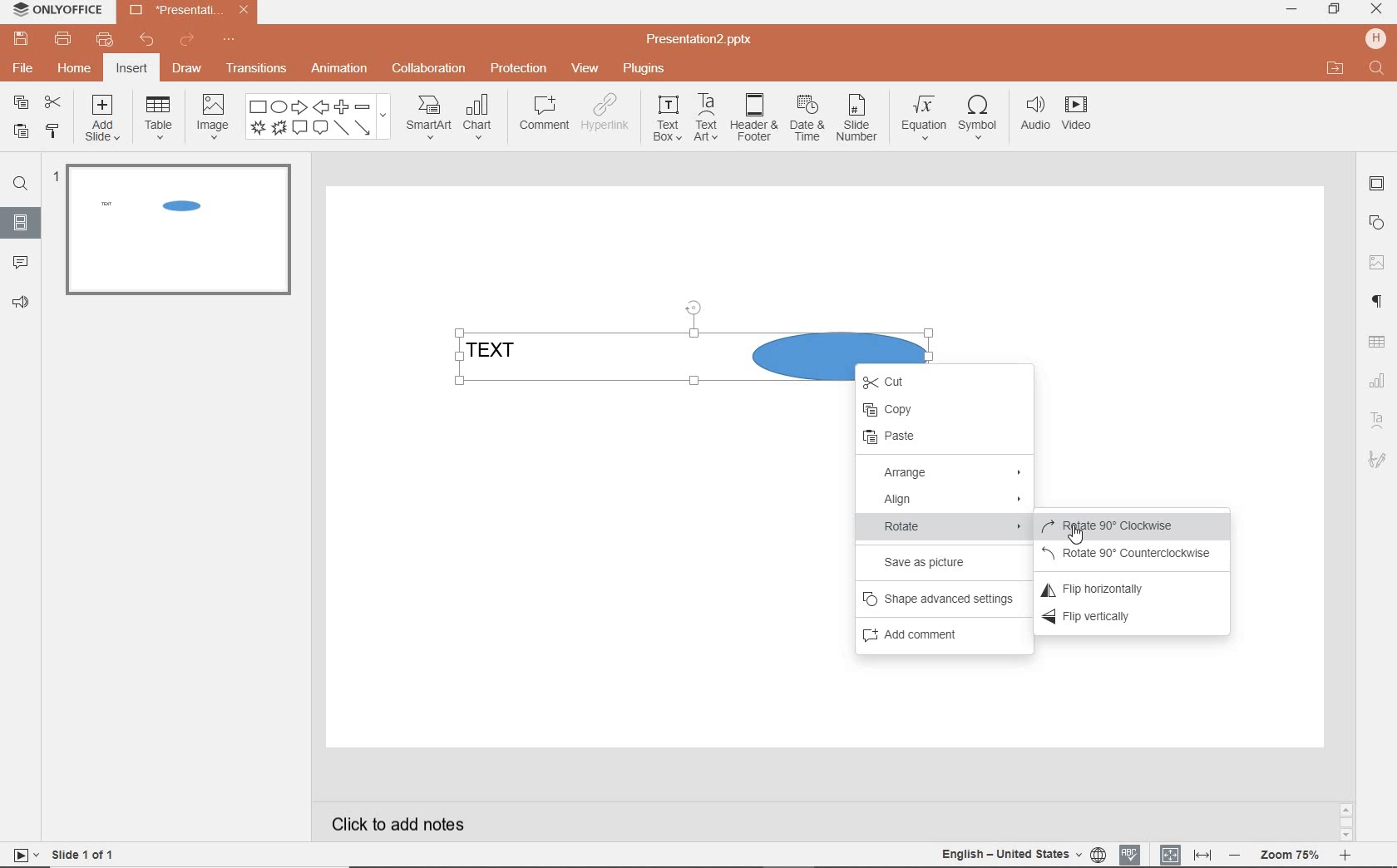  Describe the element at coordinates (318, 118) in the screenshot. I see `shape` at that location.